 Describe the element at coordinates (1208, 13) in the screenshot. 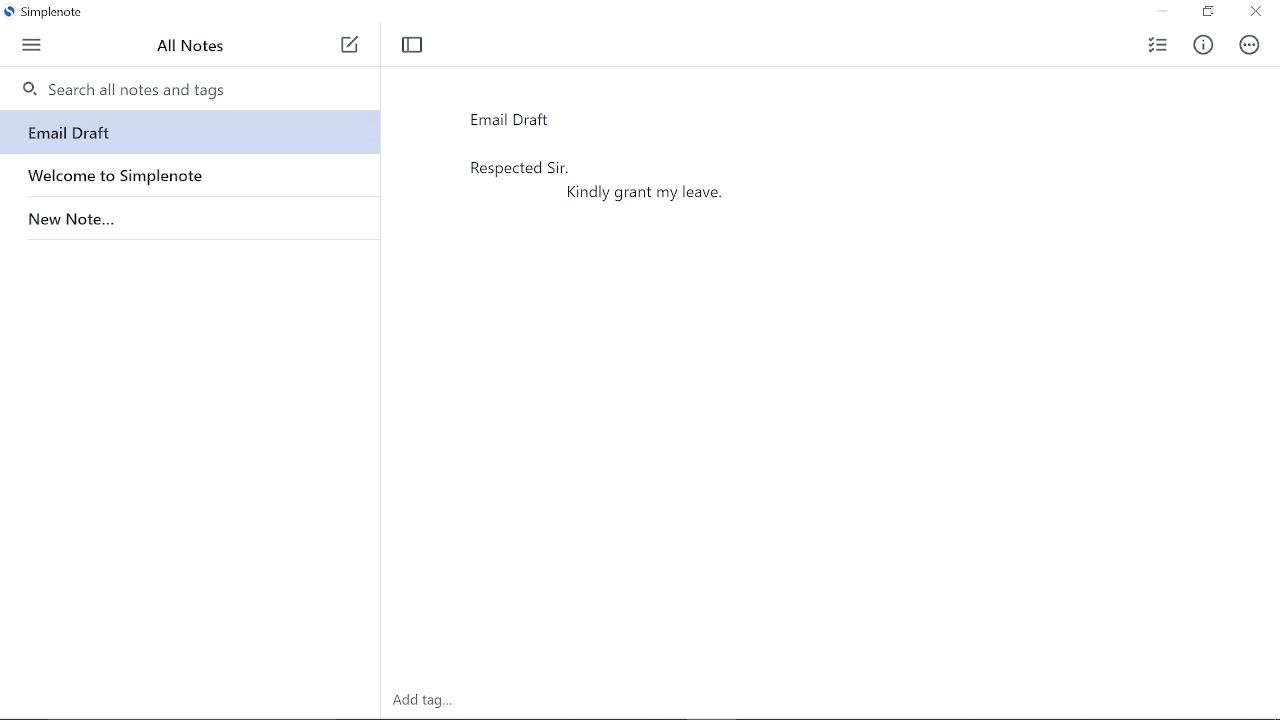

I see `Restore down` at that location.